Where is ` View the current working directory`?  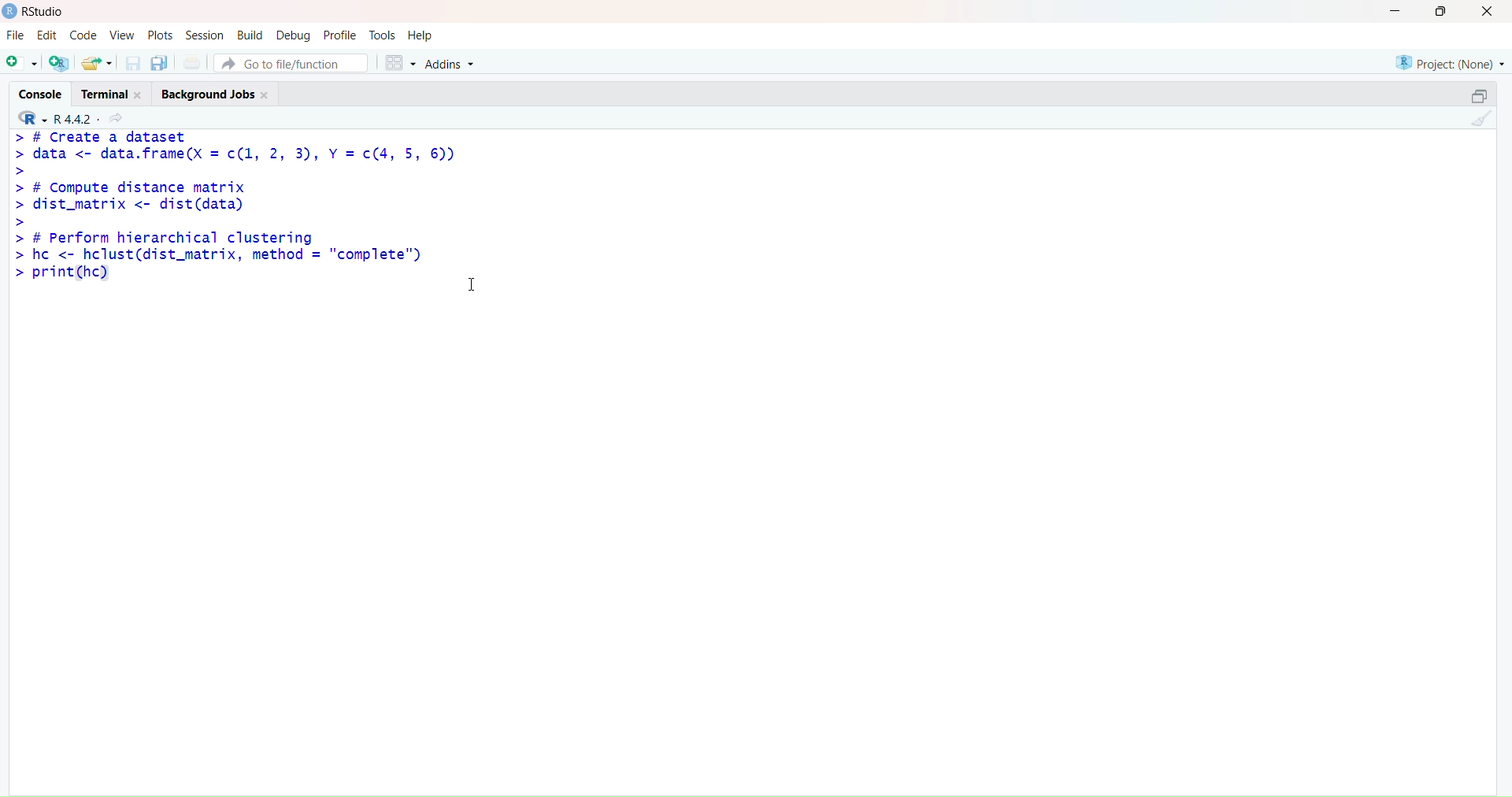
 View the current working directory is located at coordinates (120, 117).